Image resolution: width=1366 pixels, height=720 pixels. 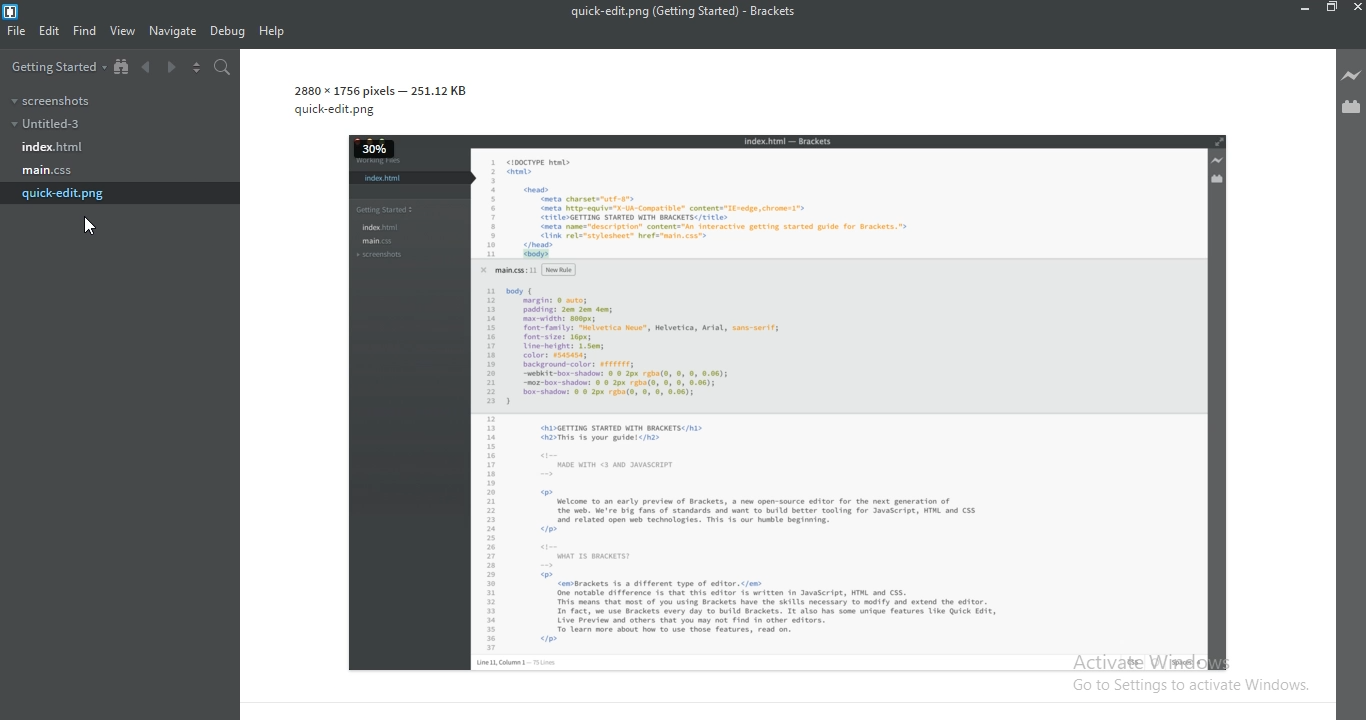 What do you see at coordinates (1304, 9) in the screenshot?
I see `restore` at bounding box center [1304, 9].